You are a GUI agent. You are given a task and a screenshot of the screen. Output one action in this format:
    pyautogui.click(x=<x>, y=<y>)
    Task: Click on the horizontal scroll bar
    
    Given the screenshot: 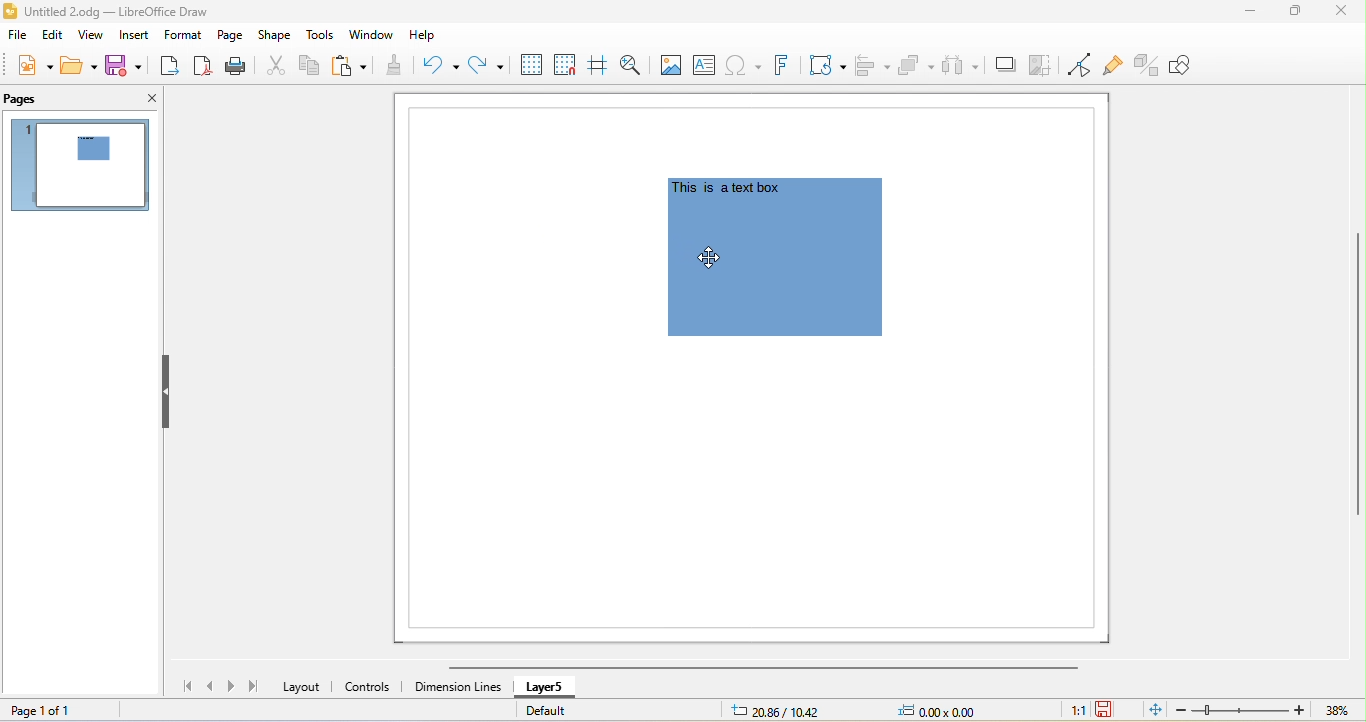 What is the action you would take?
    pyautogui.click(x=754, y=669)
    